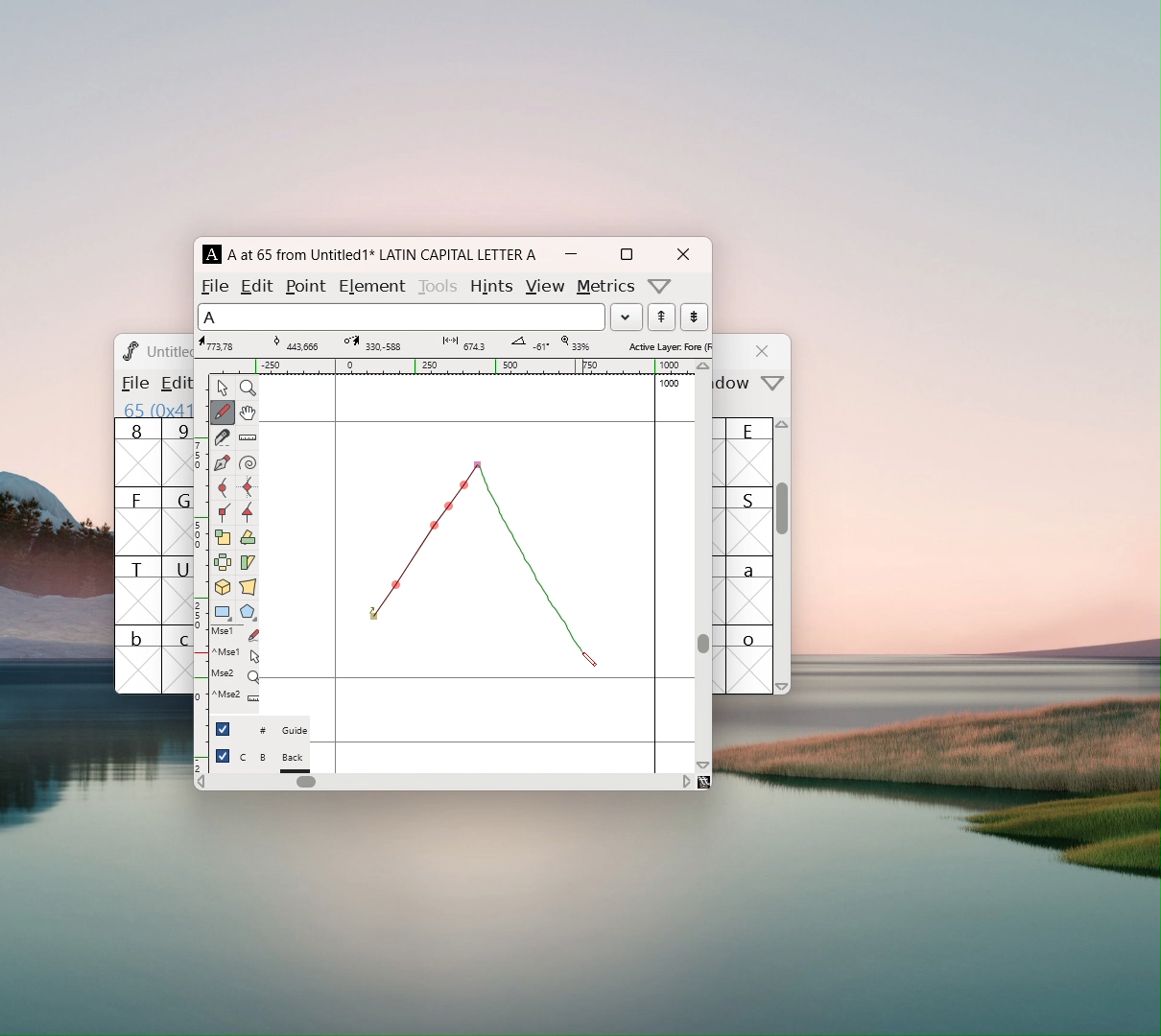 The width and height of the screenshot is (1161, 1036). Describe the element at coordinates (672, 384) in the screenshot. I see `1000` at that location.